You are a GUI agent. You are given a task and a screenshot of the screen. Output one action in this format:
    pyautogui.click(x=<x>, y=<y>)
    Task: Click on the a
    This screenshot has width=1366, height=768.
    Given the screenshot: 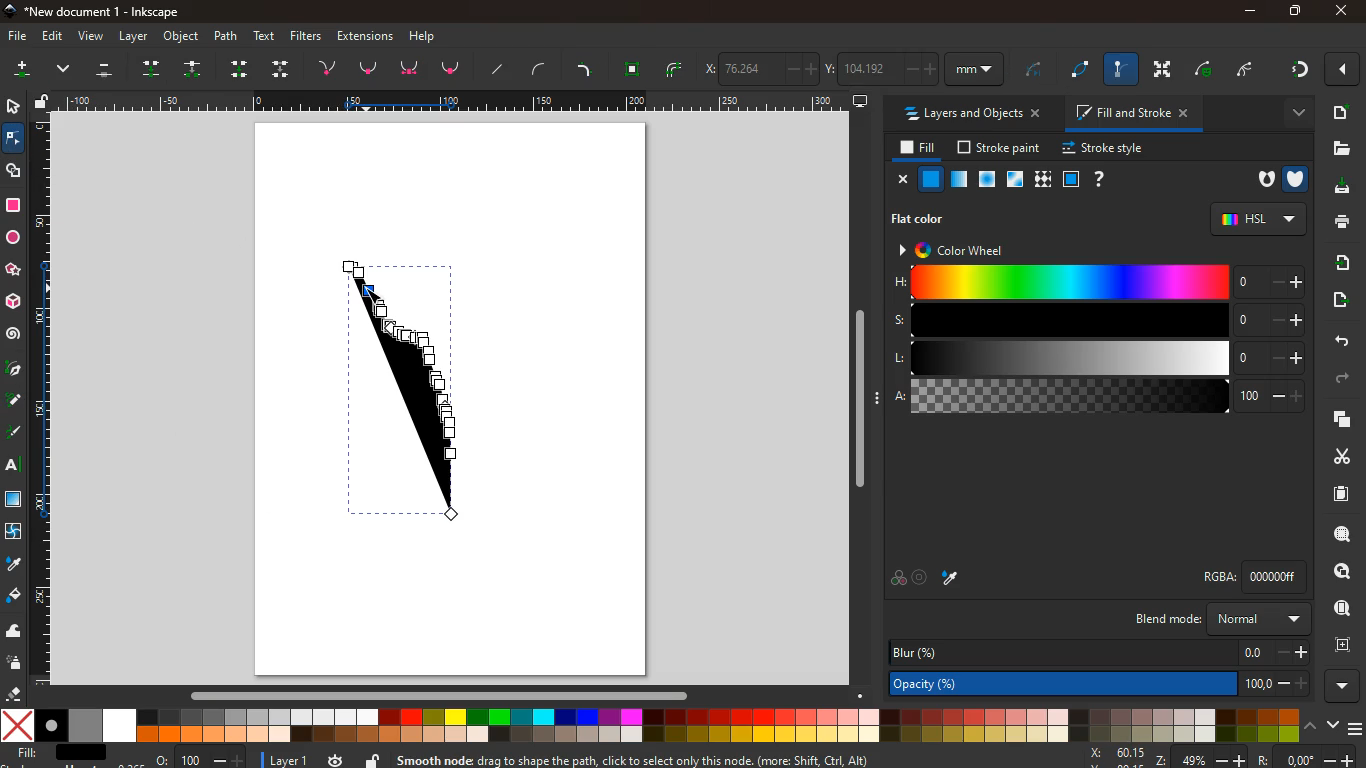 What is the action you would take?
    pyautogui.click(x=1099, y=397)
    